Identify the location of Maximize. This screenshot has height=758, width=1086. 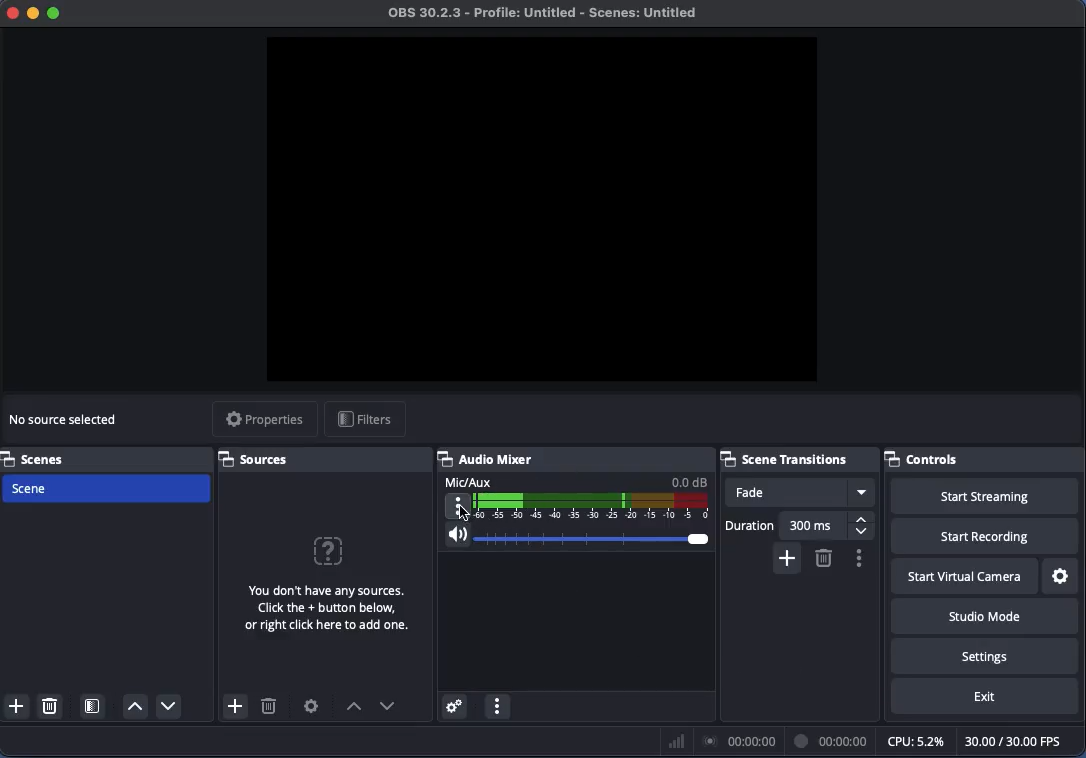
(56, 15).